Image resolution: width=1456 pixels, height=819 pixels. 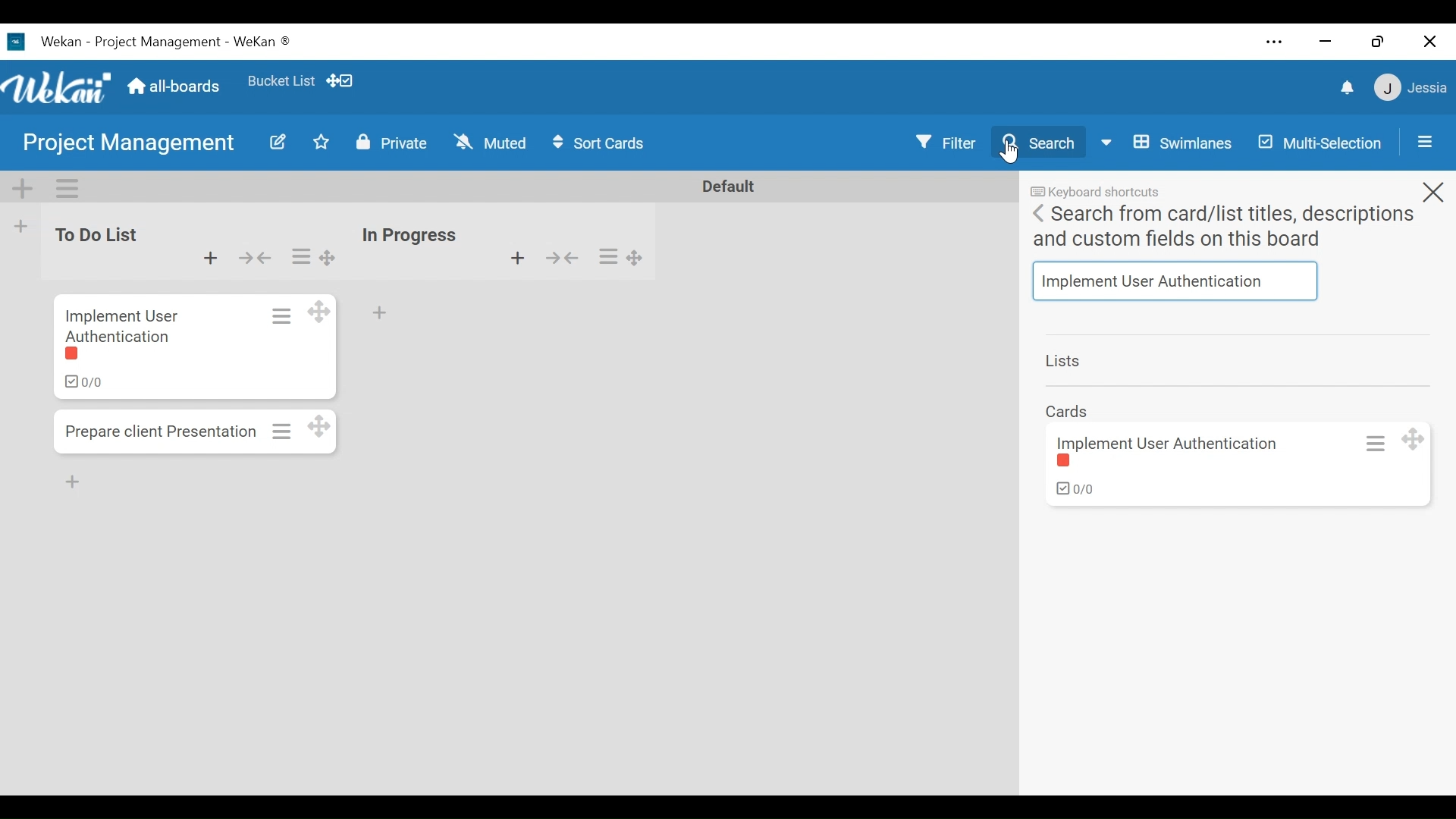 What do you see at coordinates (255, 256) in the screenshot?
I see `collapse` at bounding box center [255, 256].